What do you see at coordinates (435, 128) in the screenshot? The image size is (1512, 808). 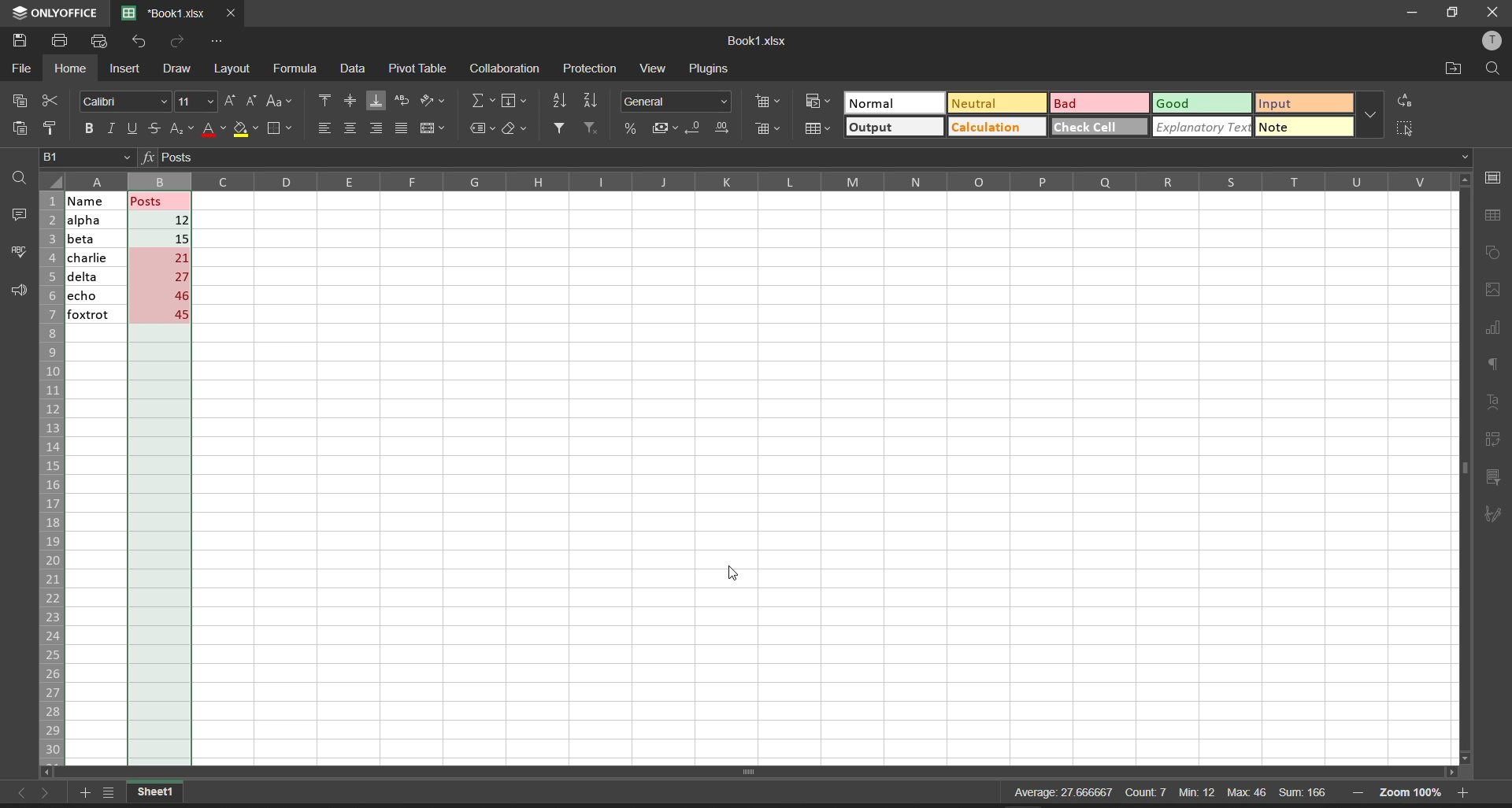 I see `merge and center` at bounding box center [435, 128].